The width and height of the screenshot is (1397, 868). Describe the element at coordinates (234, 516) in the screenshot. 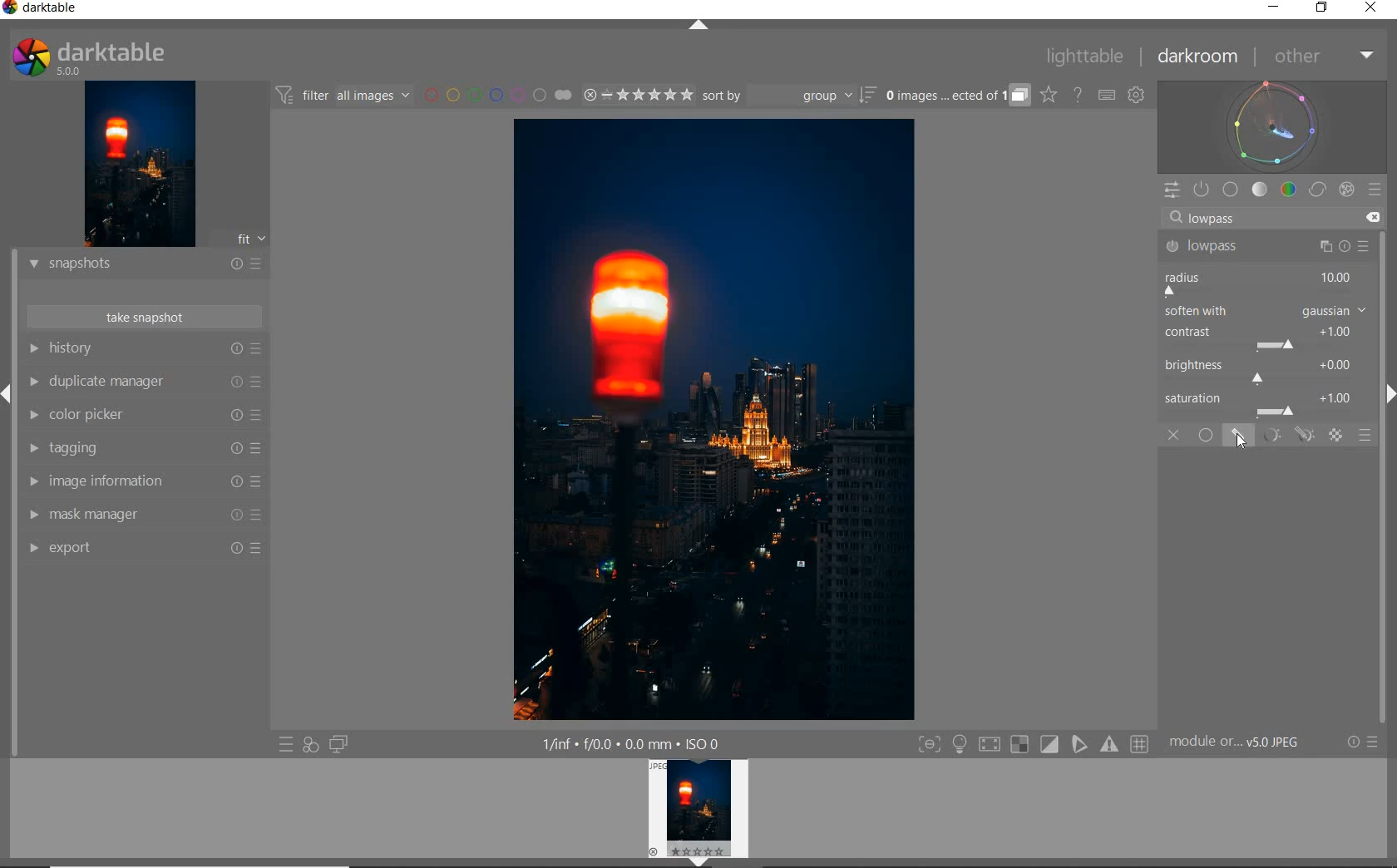

I see `Reset` at that location.